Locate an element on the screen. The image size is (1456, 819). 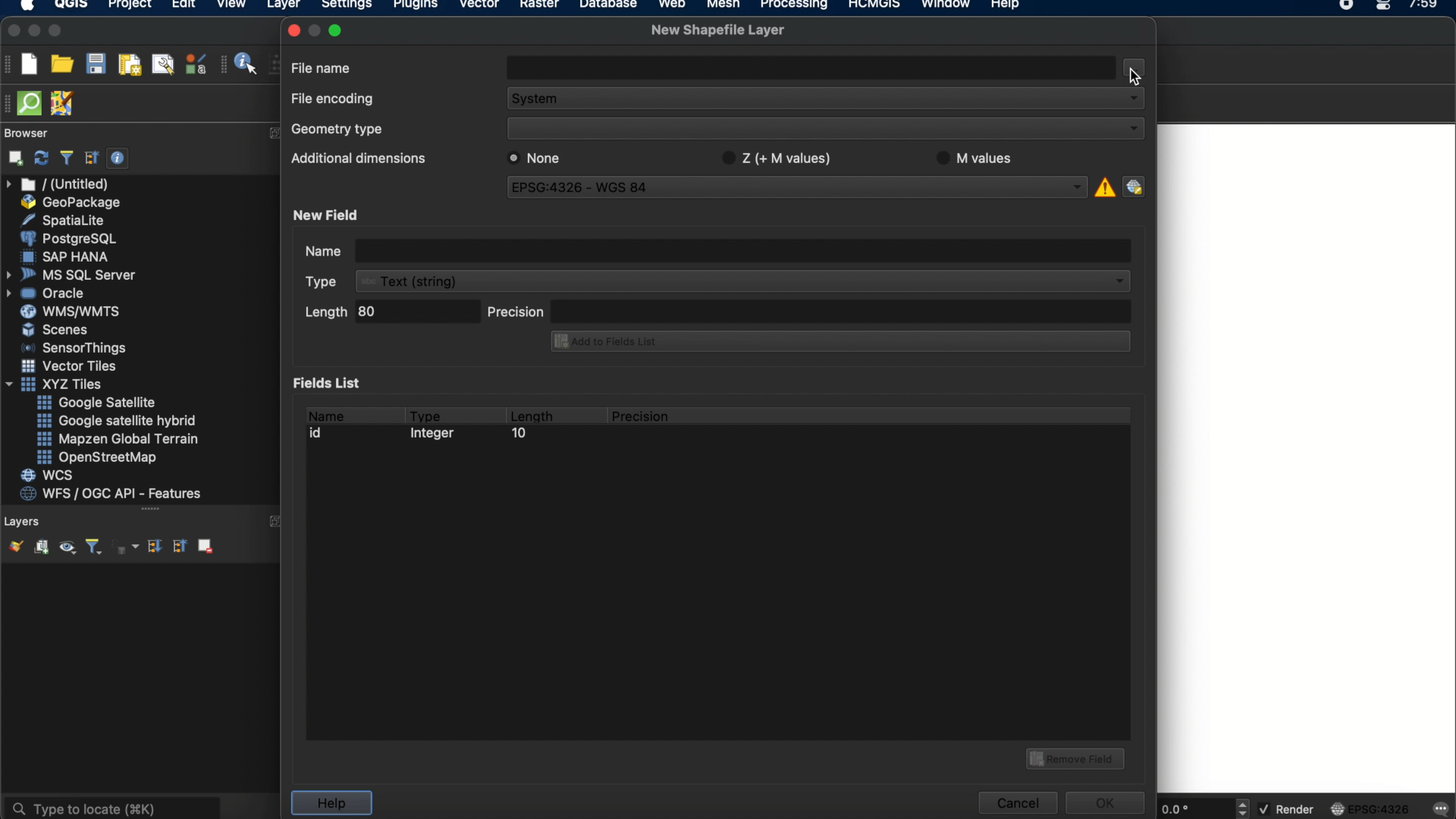
open project is located at coordinates (61, 64).